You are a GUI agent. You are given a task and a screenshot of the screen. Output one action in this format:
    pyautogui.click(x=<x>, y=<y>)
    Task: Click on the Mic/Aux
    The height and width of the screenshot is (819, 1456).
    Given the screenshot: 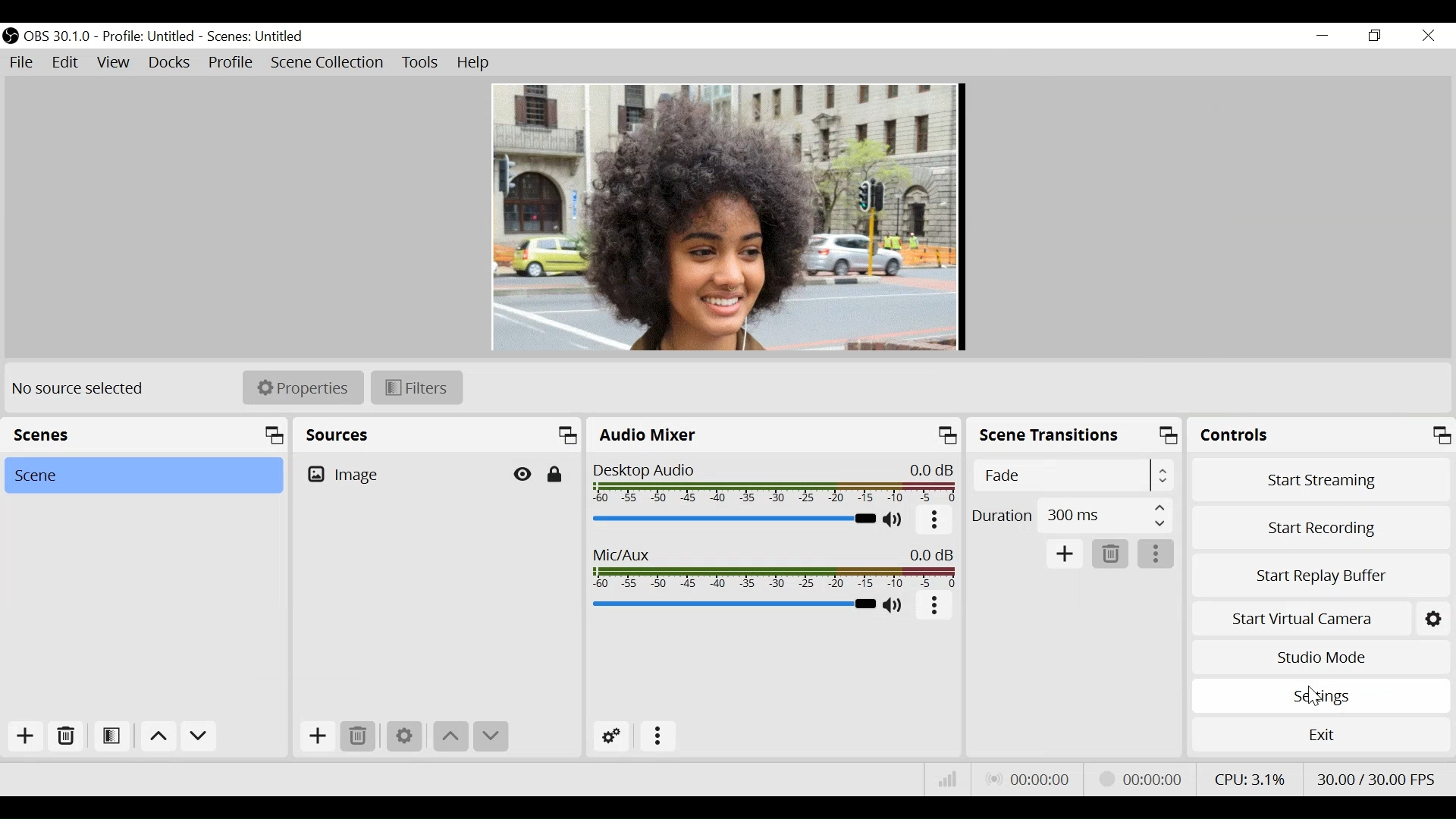 What is the action you would take?
    pyautogui.click(x=775, y=569)
    